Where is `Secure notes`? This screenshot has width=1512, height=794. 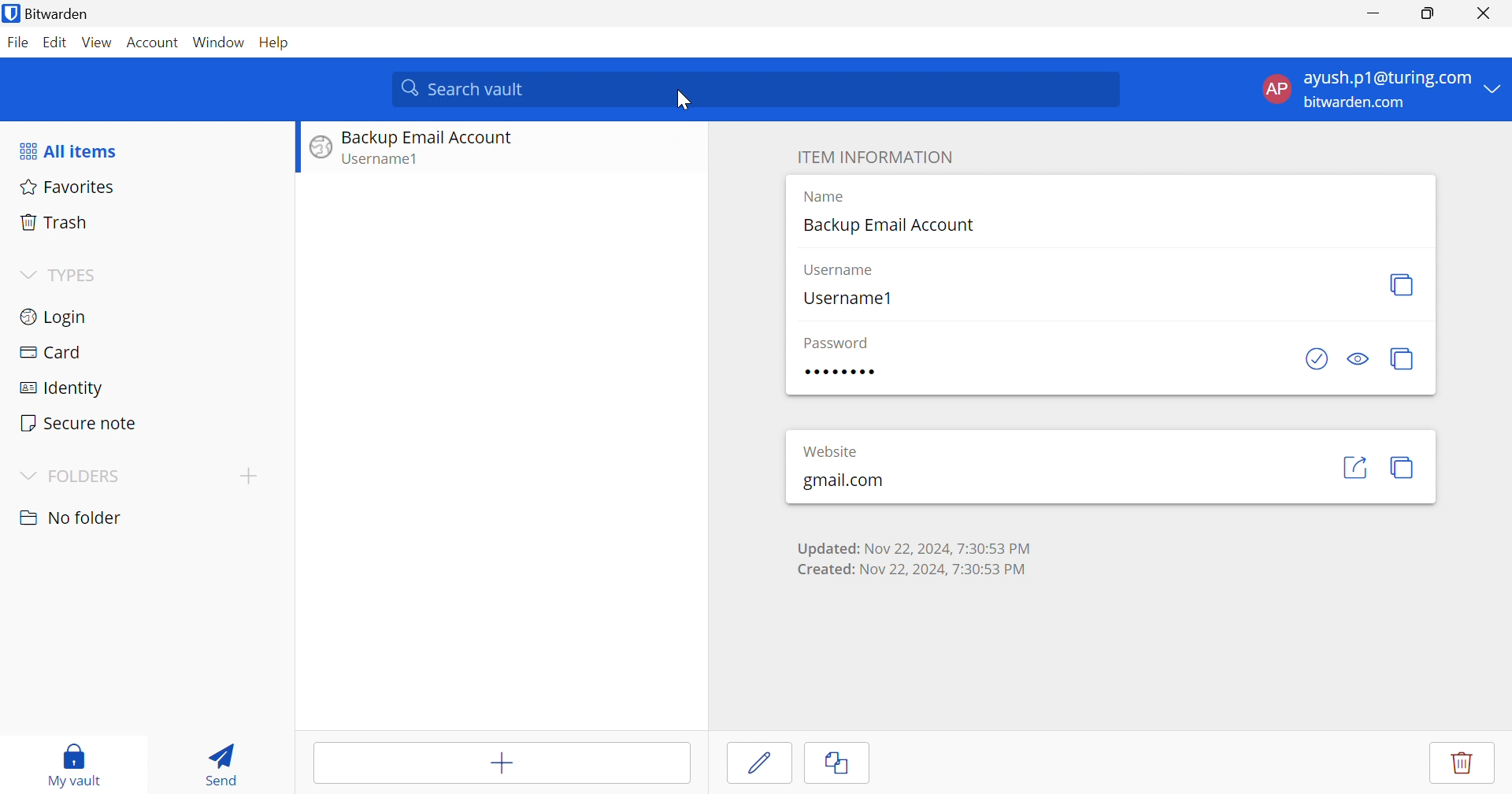
Secure notes is located at coordinates (80, 423).